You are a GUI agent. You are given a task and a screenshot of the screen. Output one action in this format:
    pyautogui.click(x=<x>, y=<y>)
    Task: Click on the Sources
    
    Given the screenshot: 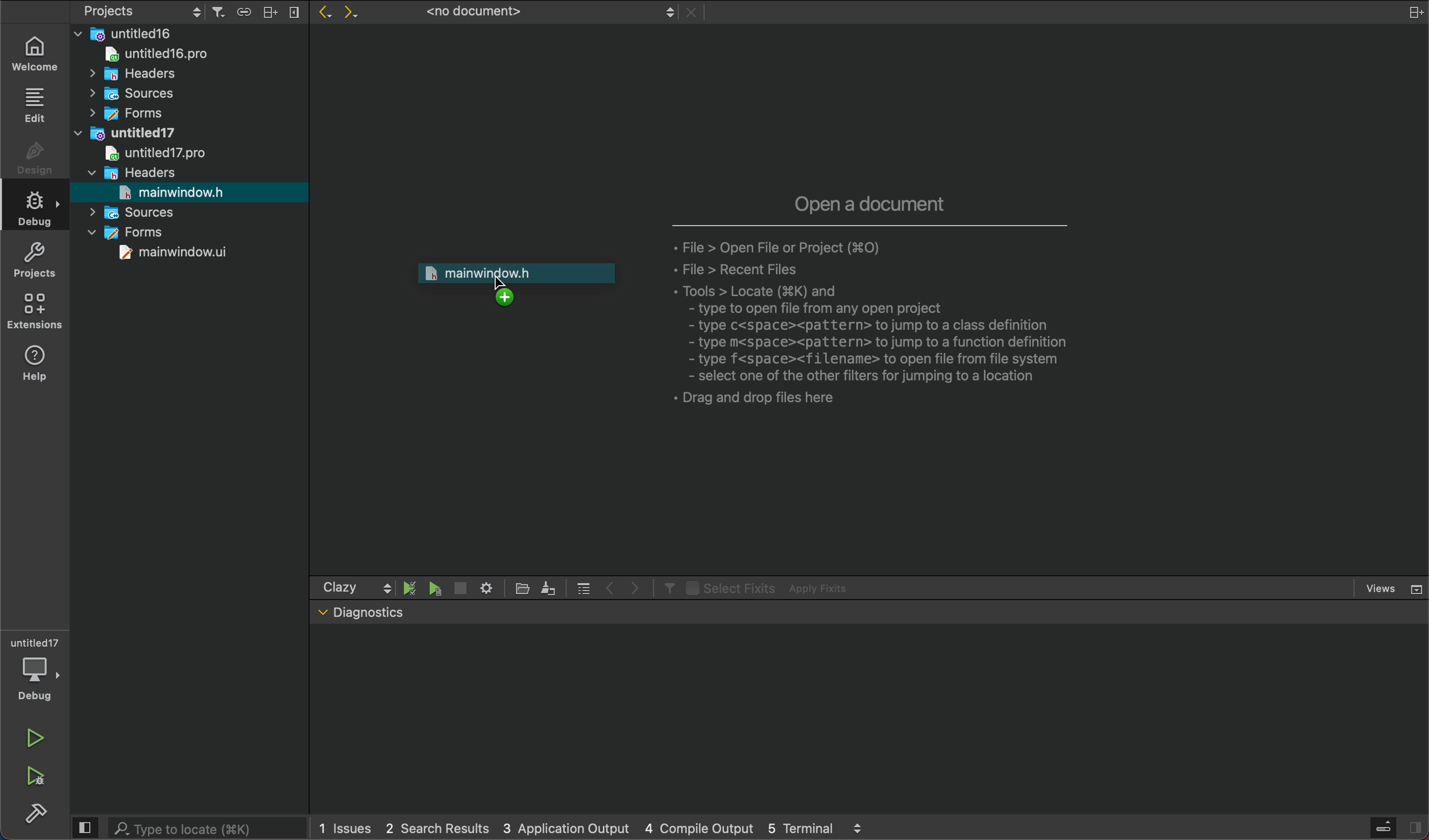 What is the action you would take?
    pyautogui.click(x=129, y=94)
    